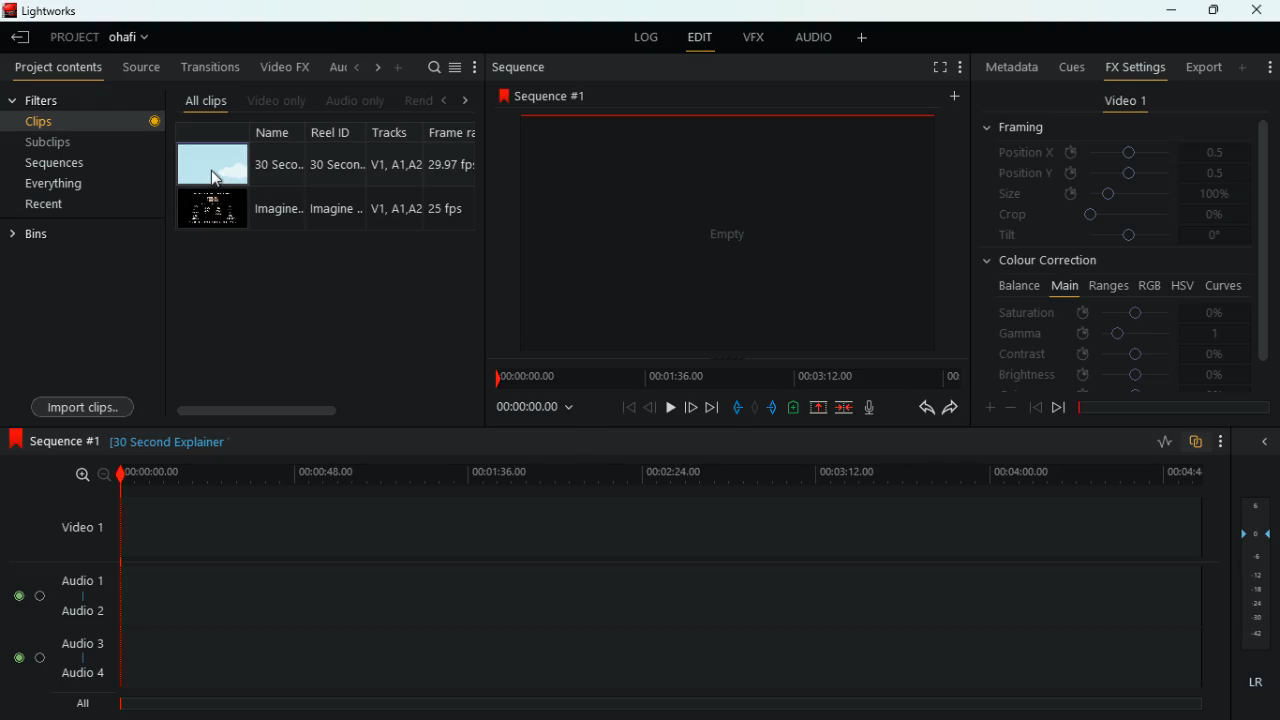 This screenshot has height=720, width=1280. I want to click on time, so click(167, 442).